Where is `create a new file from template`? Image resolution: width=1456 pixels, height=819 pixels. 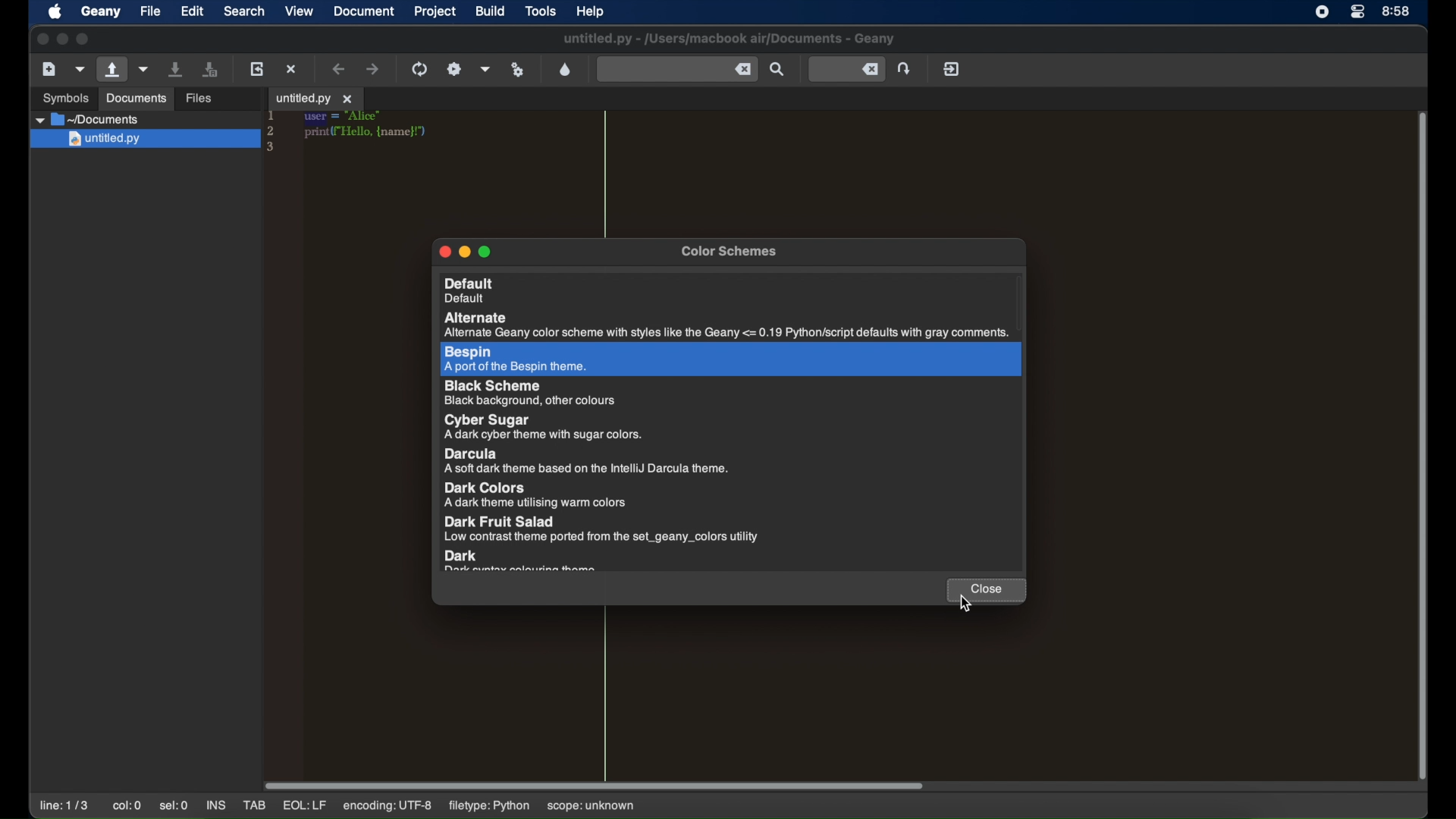 create a new file from template is located at coordinates (80, 69).